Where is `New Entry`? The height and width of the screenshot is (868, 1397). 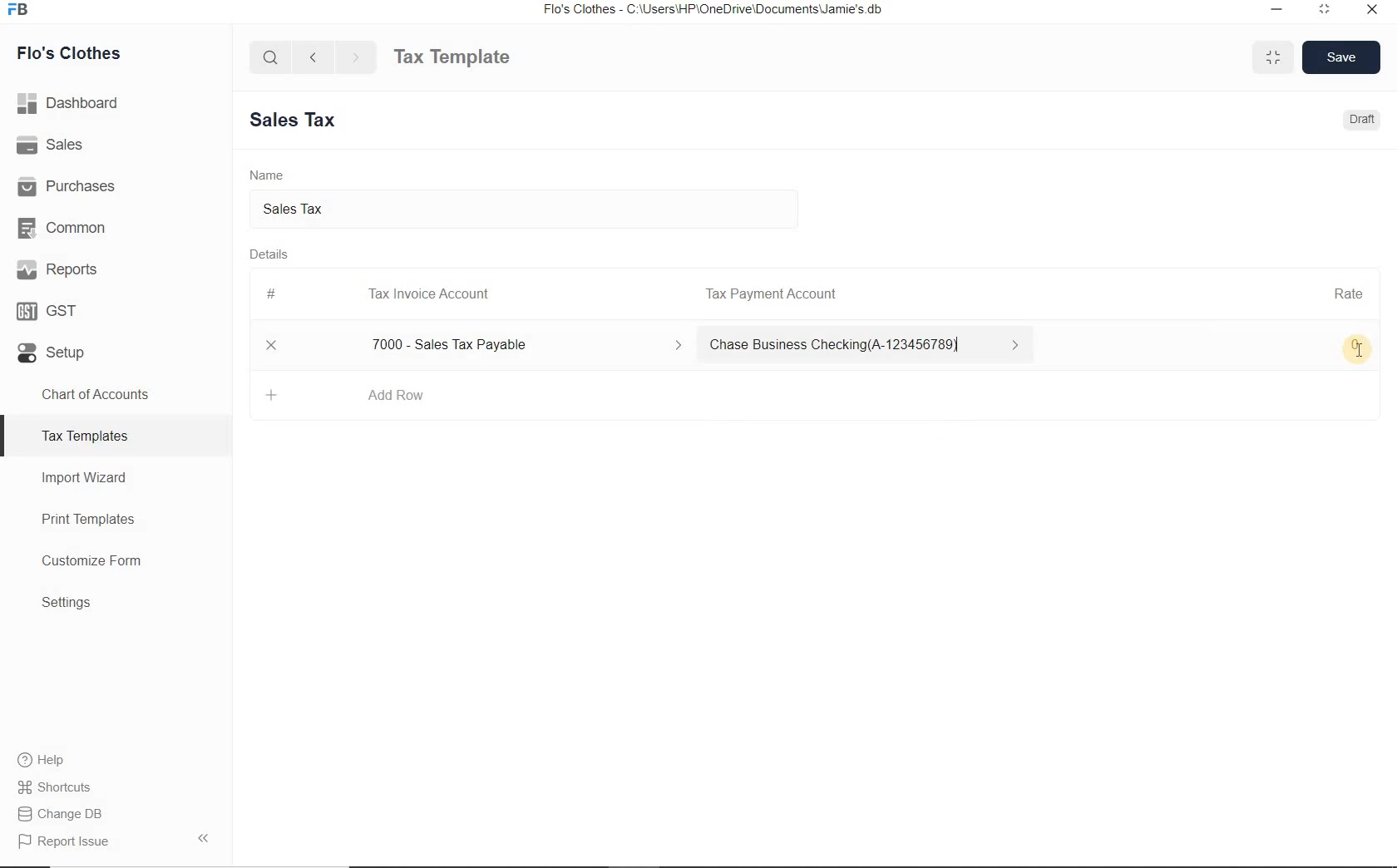 New Entry is located at coordinates (299, 121).